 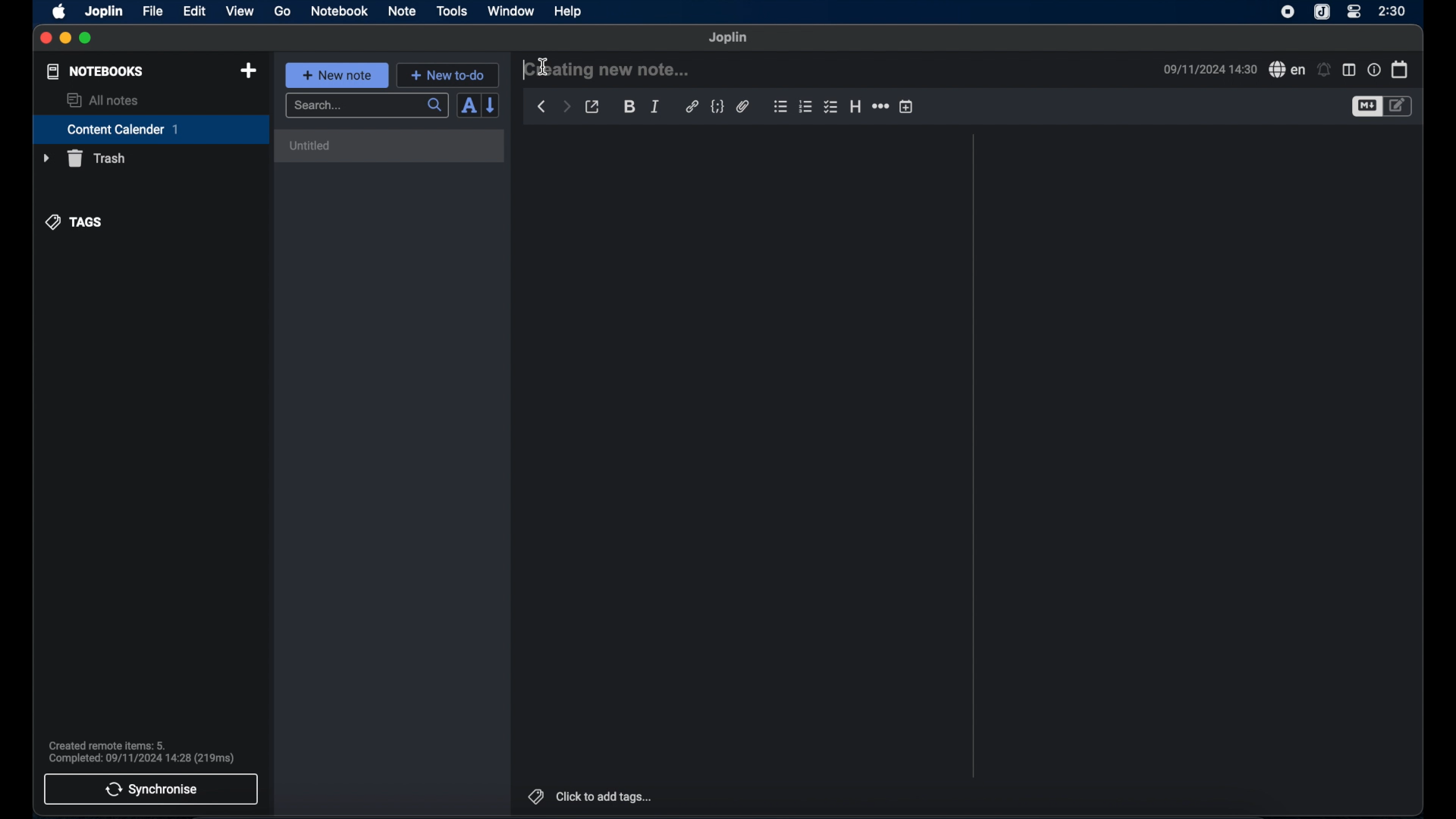 I want to click on go, so click(x=284, y=11).